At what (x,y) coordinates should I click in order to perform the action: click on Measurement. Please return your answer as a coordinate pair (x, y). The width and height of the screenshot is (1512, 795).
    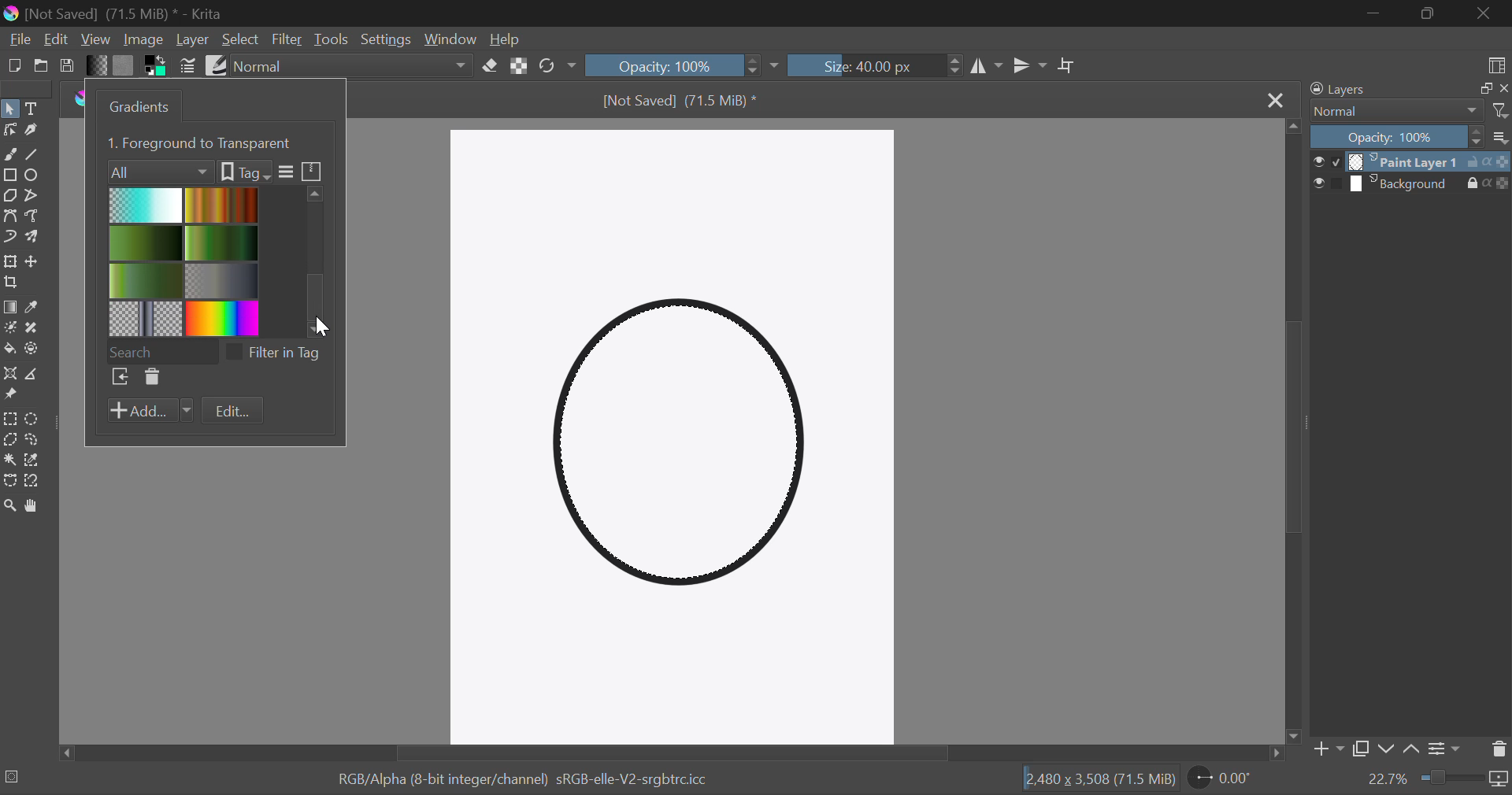
    Looking at the image, I should click on (37, 375).